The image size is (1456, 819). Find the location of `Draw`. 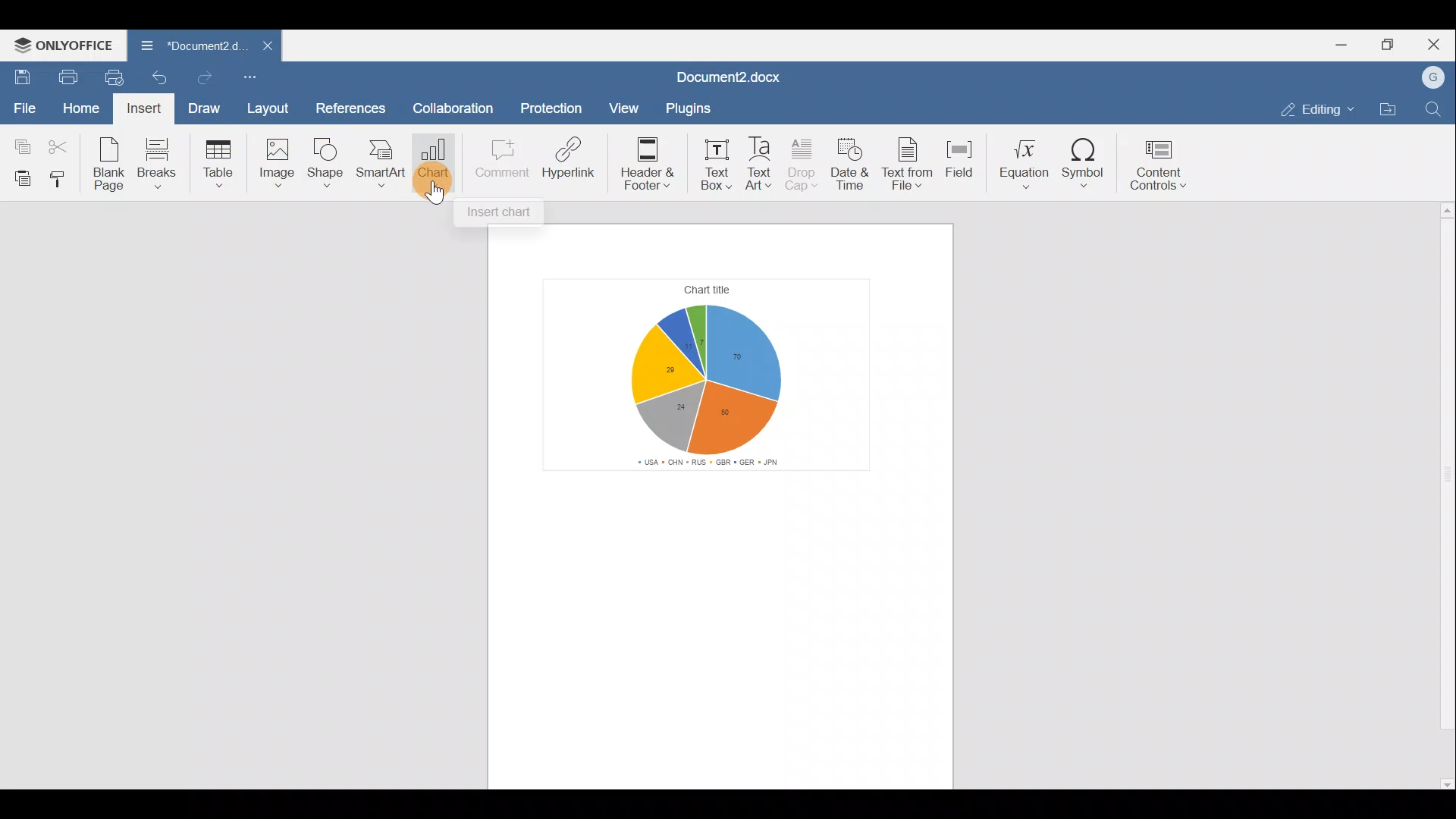

Draw is located at coordinates (206, 108).